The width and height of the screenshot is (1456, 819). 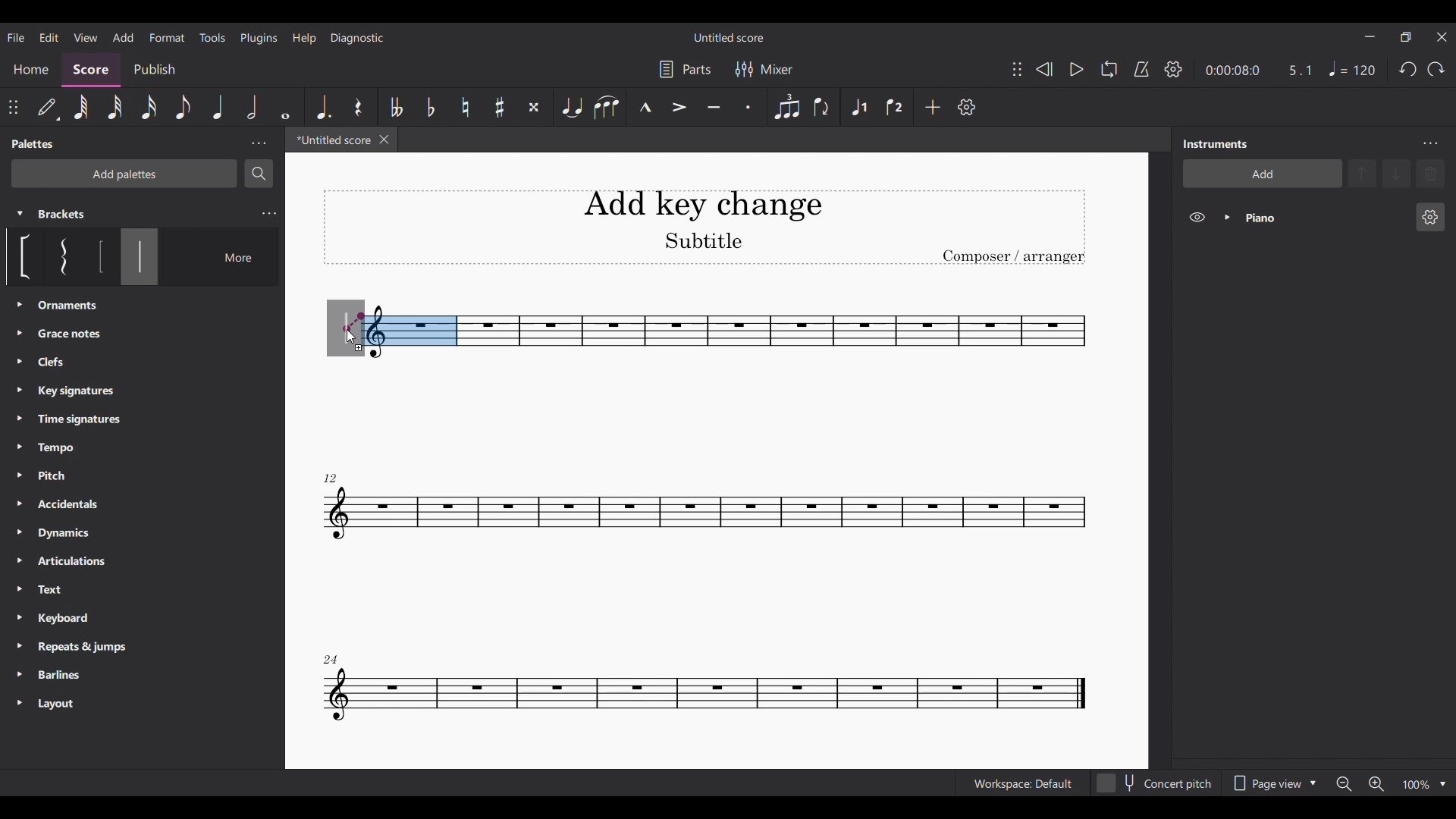 I want to click on Attachment area highlighted, so click(x=412, y=331).